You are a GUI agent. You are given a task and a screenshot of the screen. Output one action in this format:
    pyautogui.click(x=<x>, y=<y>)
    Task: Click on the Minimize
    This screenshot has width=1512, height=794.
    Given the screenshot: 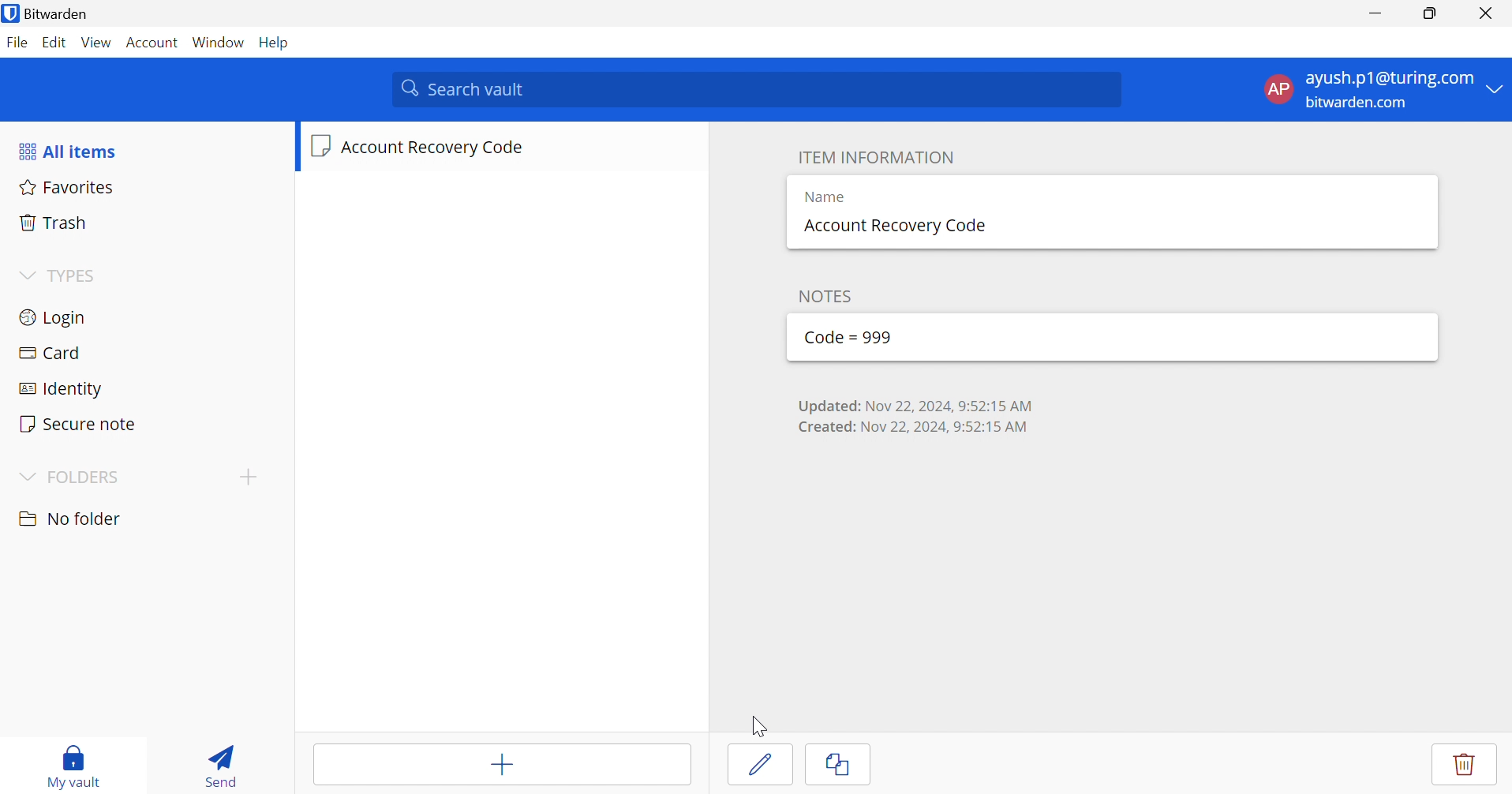 What is the action you would take?
    pyautogui.click(x=1375, y=15)
    